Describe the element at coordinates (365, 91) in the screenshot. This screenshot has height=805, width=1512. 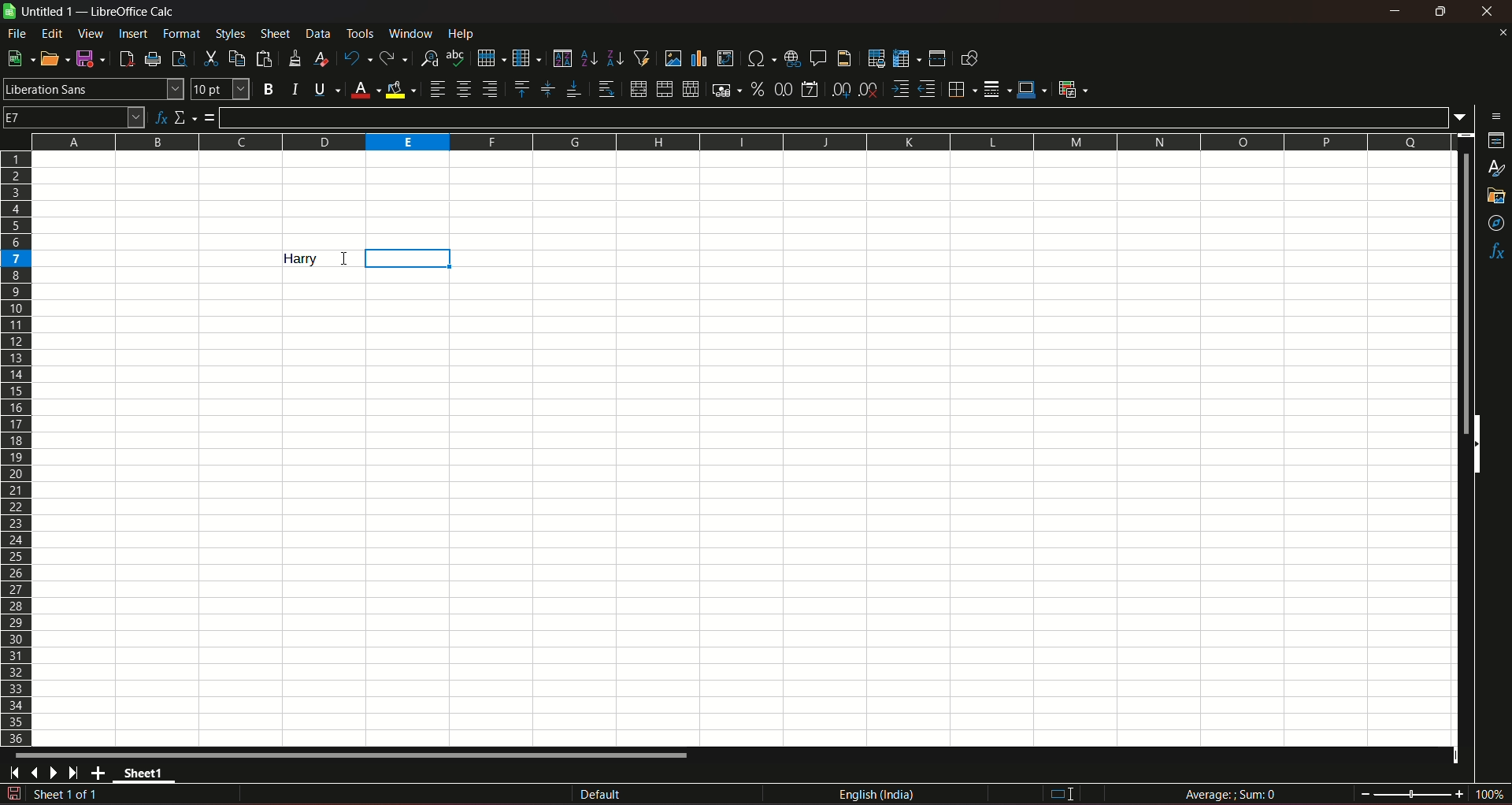
I see `font color` at that location.